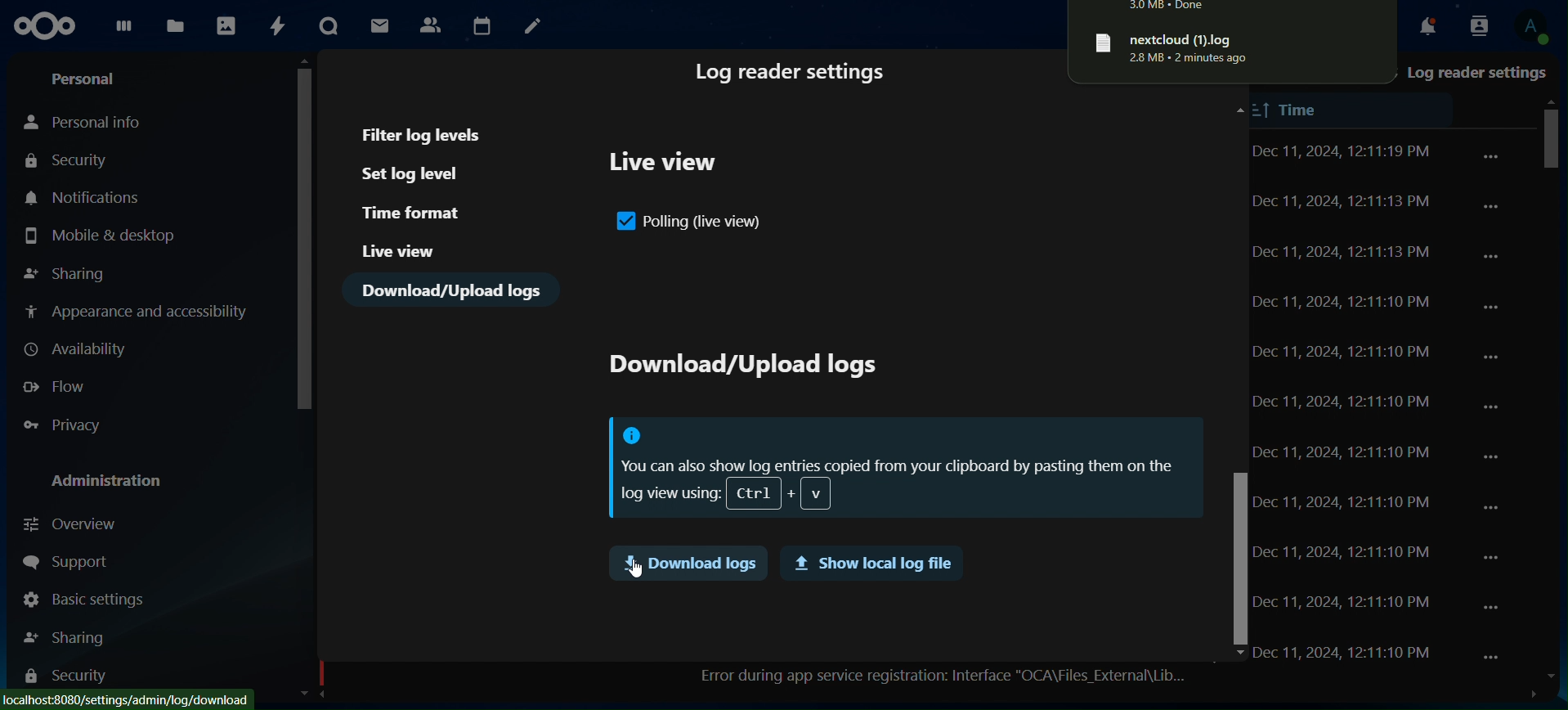 This screenshot has width=1568, height=710. Describe the element at coordinates (1192, 7) in the screenshot. I see `3.0mb` at that location.